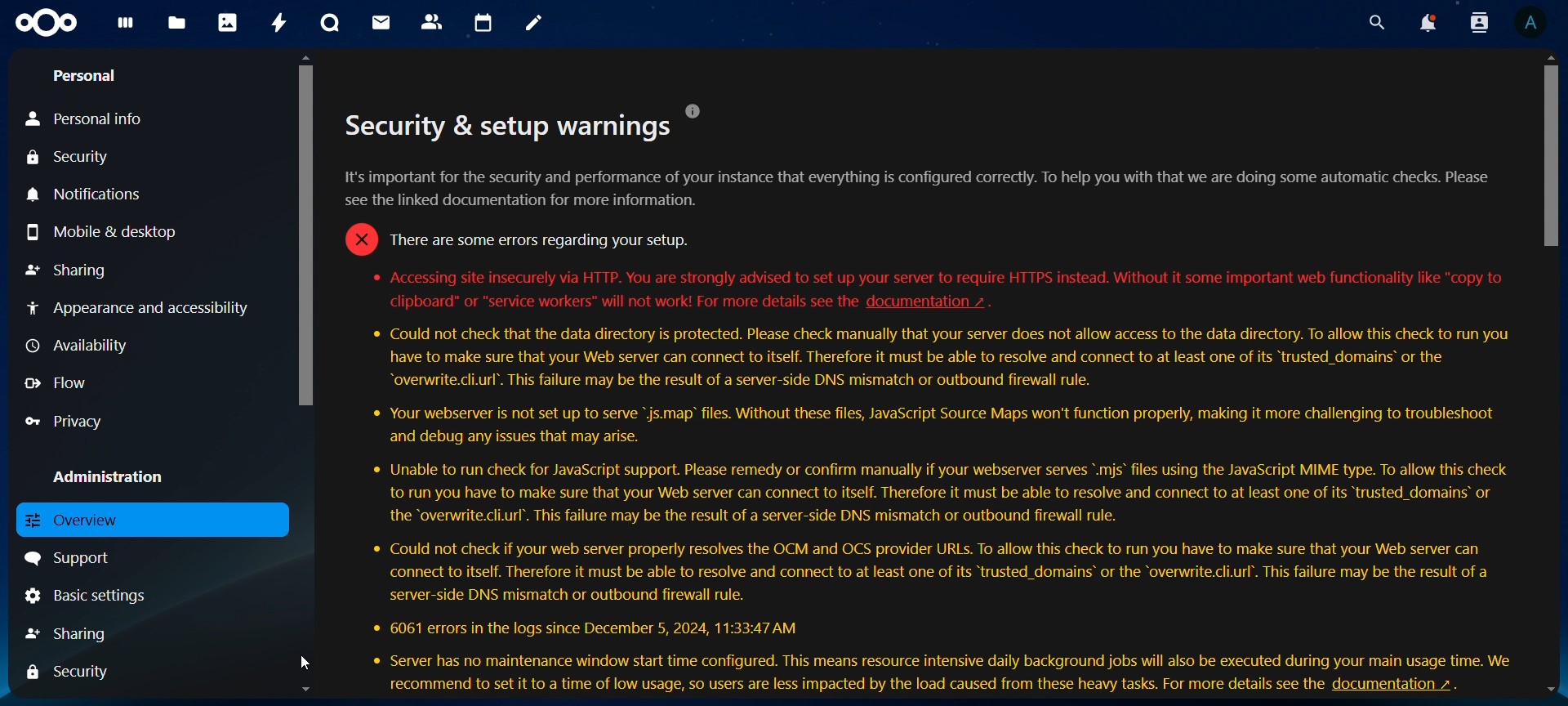  What do you see at coordinates (533, 25) in the screenshot?
I see `notes` at bounding box center [533, 25].